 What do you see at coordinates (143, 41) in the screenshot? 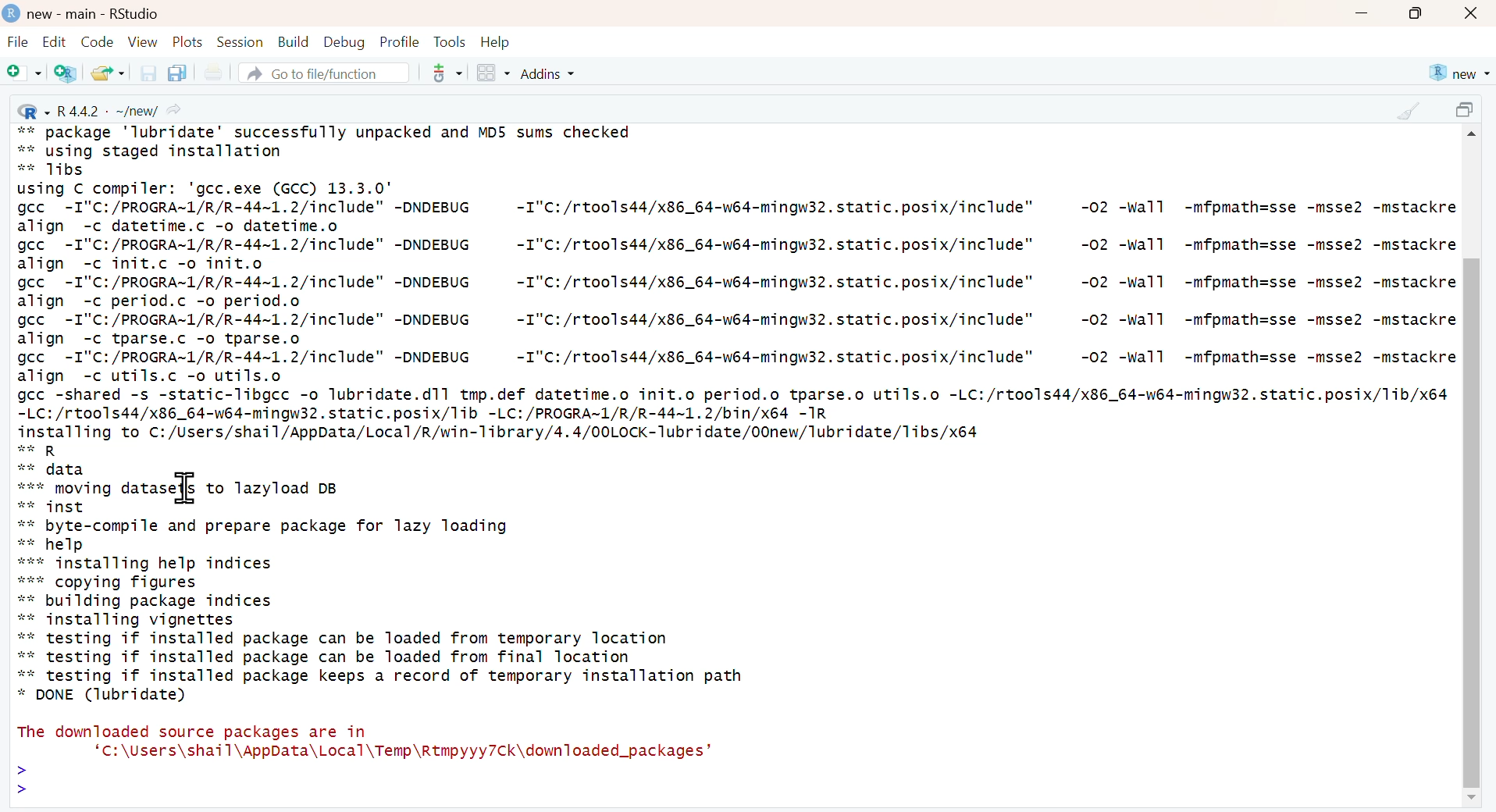
I see `View` at bounding box center [143, 41].